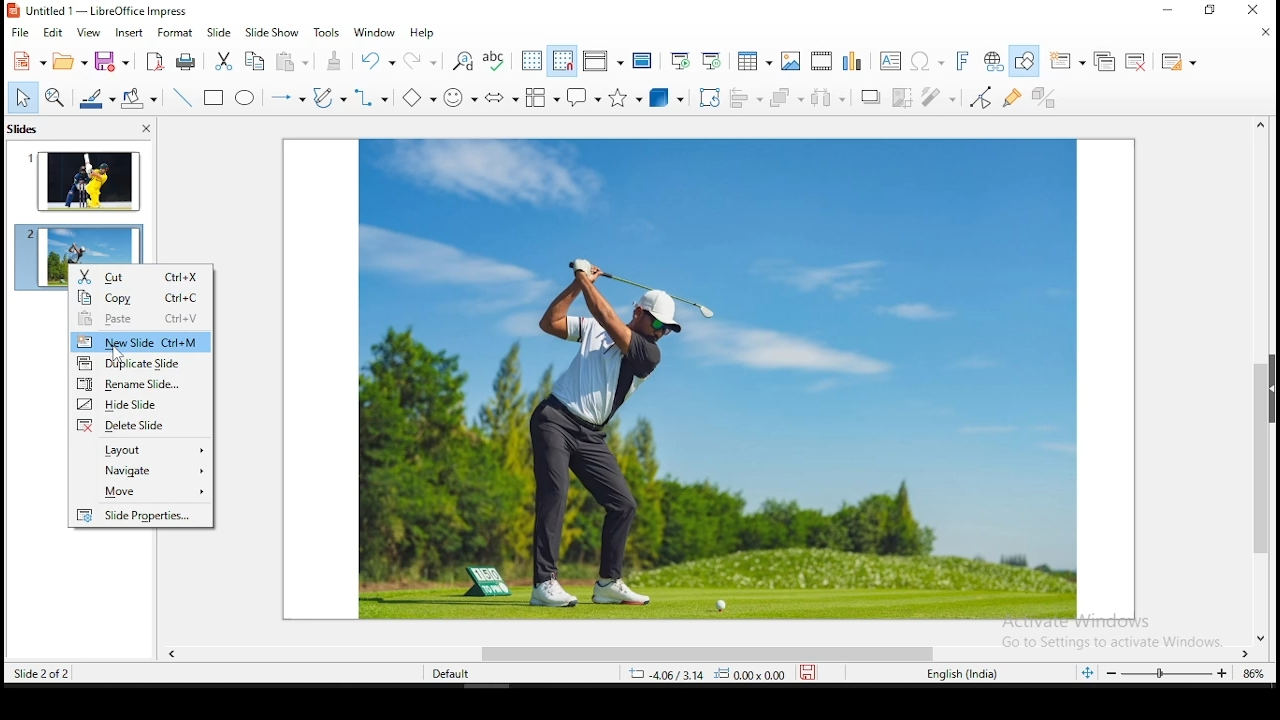  Describe the element at coordinates (121, 357) in the screenshot. I see `mouse pointer` at that location.